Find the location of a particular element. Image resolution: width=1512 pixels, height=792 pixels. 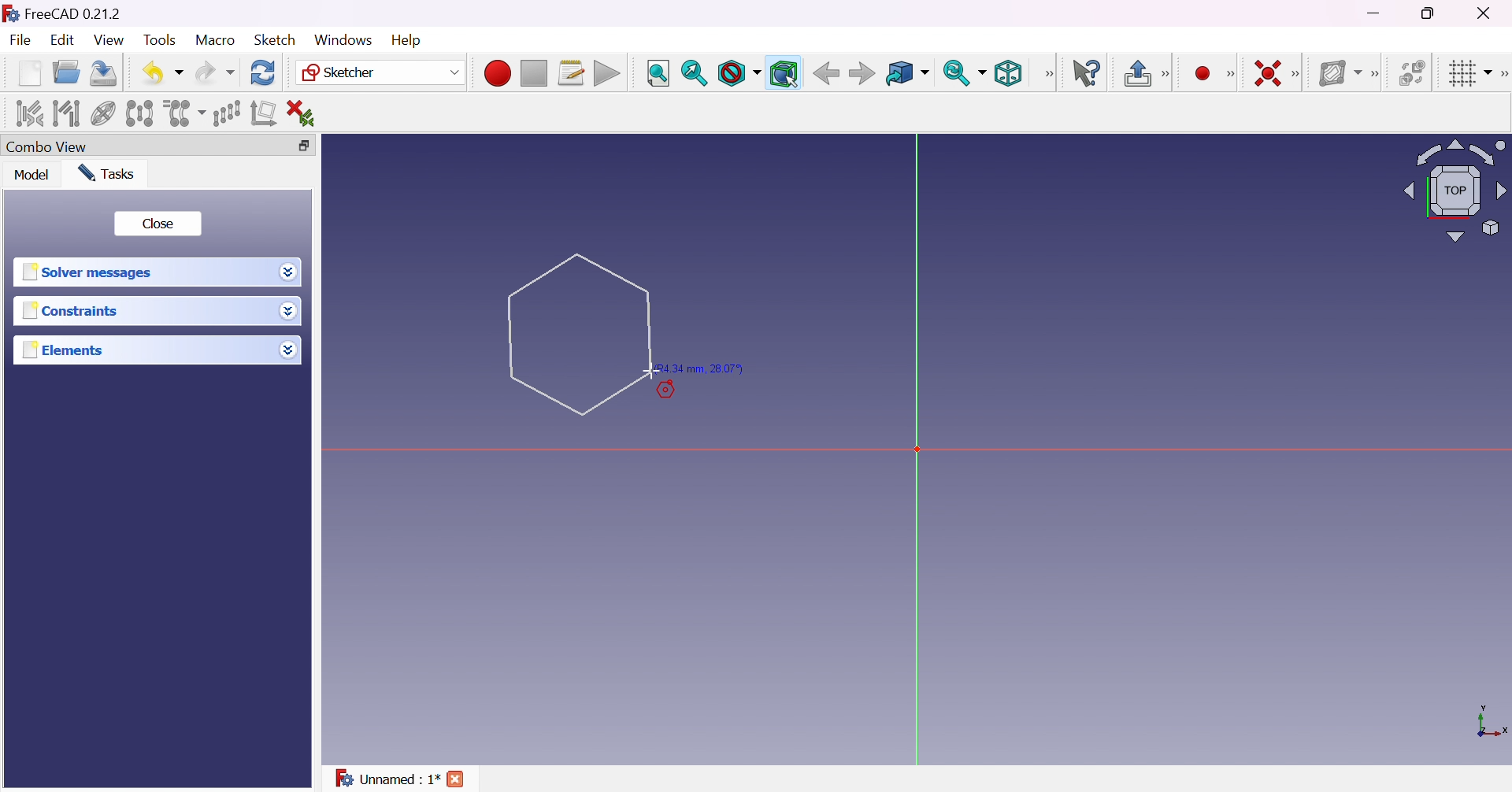

Create point is located at coordinates (1204, 74).